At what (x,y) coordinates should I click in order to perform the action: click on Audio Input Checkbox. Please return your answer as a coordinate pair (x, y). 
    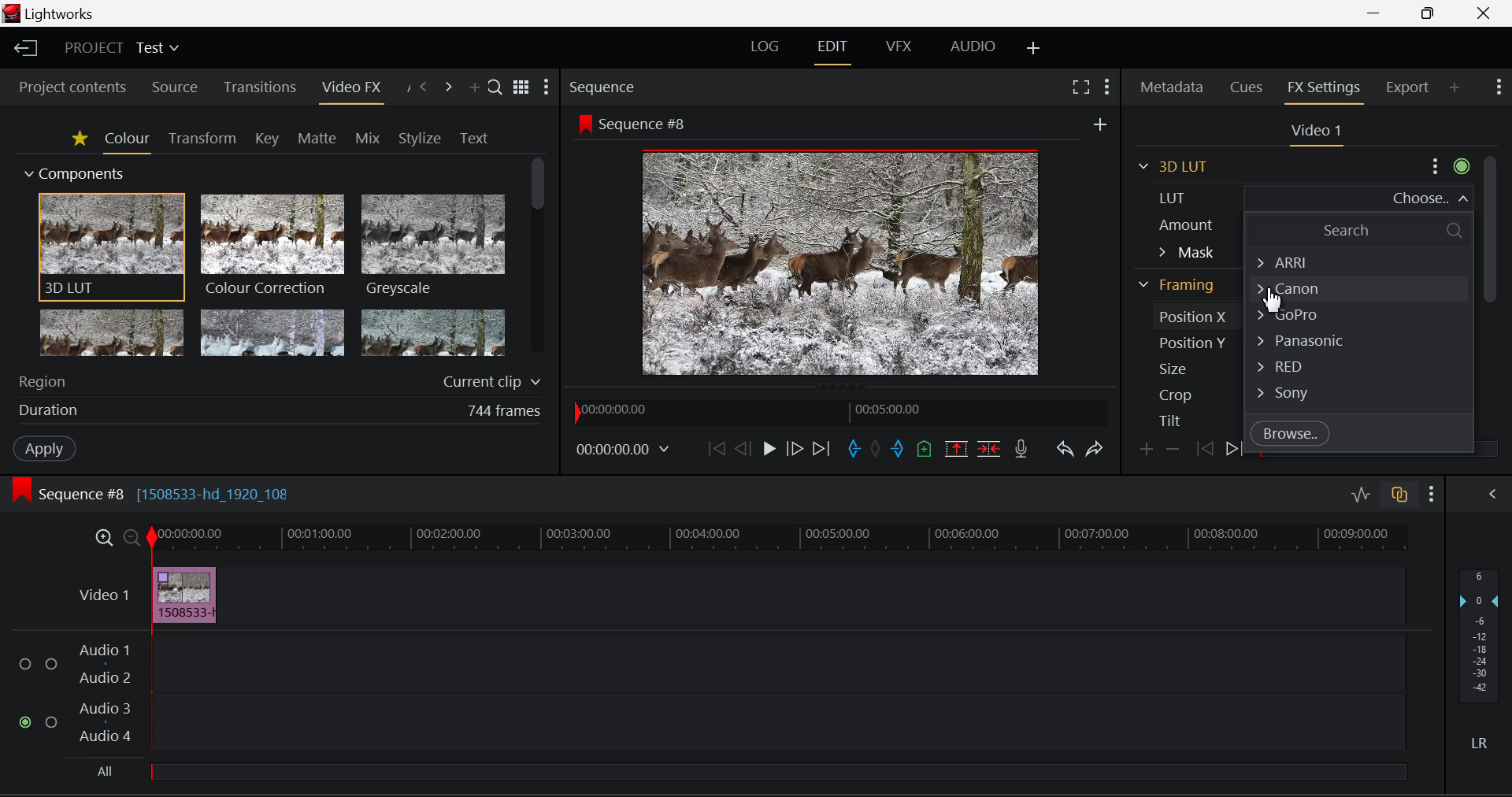
    Looking at the image, I should click on (24, 664).